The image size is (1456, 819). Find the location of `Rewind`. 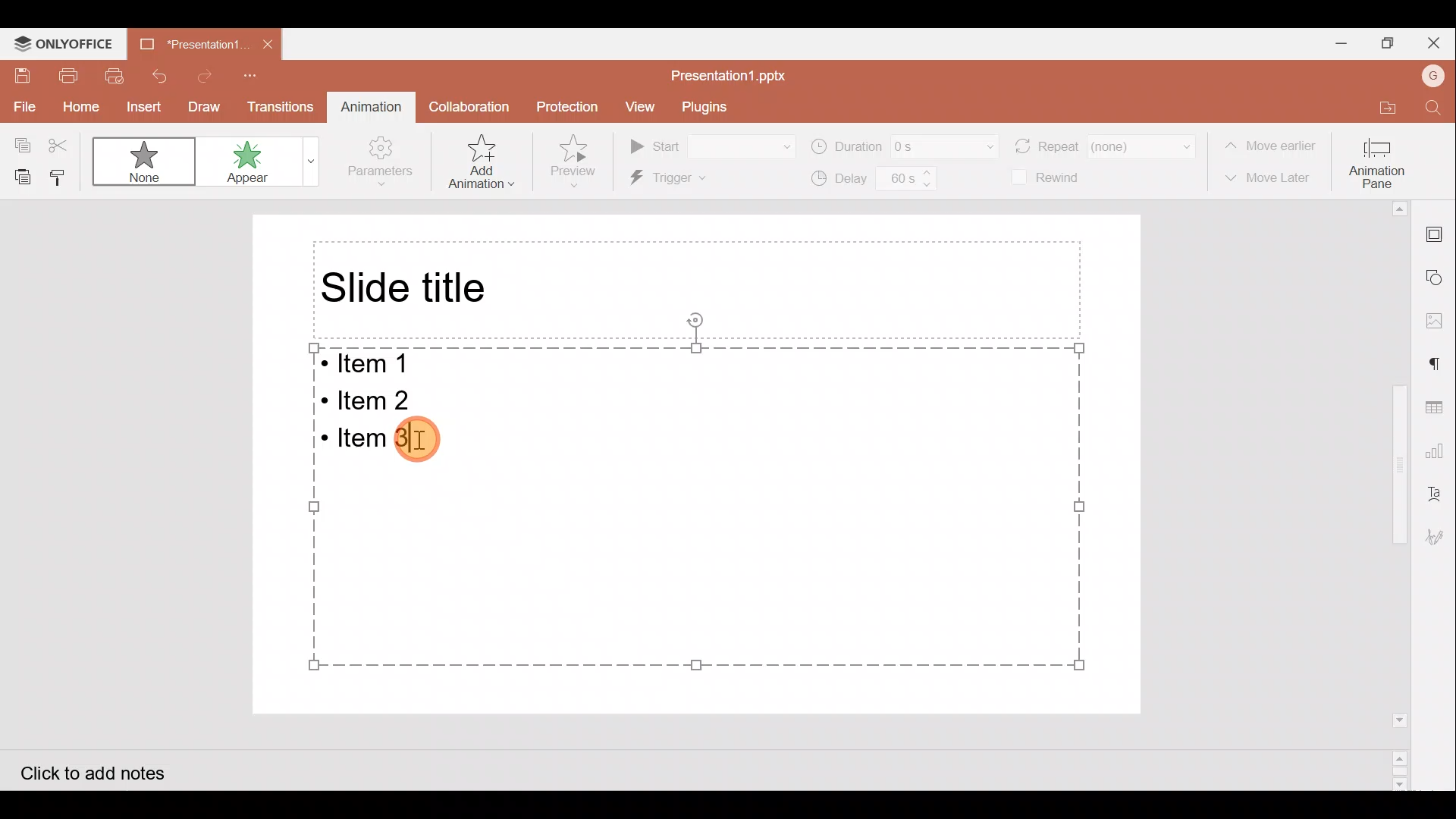

Rewind is located at coordinates (1050, 178).